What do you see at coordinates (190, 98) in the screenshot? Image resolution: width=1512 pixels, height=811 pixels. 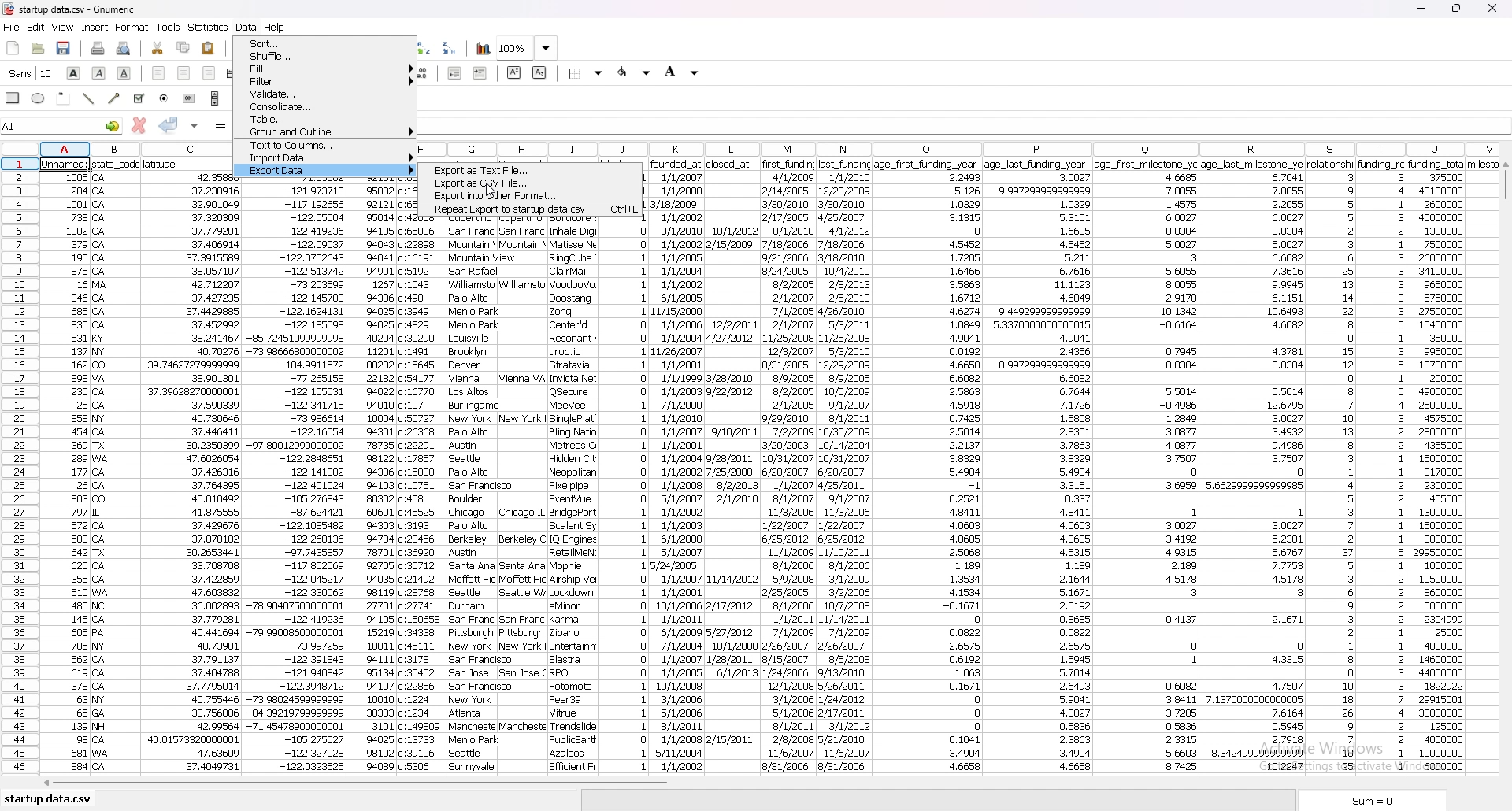 I see `button` at bounding box center [190, 98].